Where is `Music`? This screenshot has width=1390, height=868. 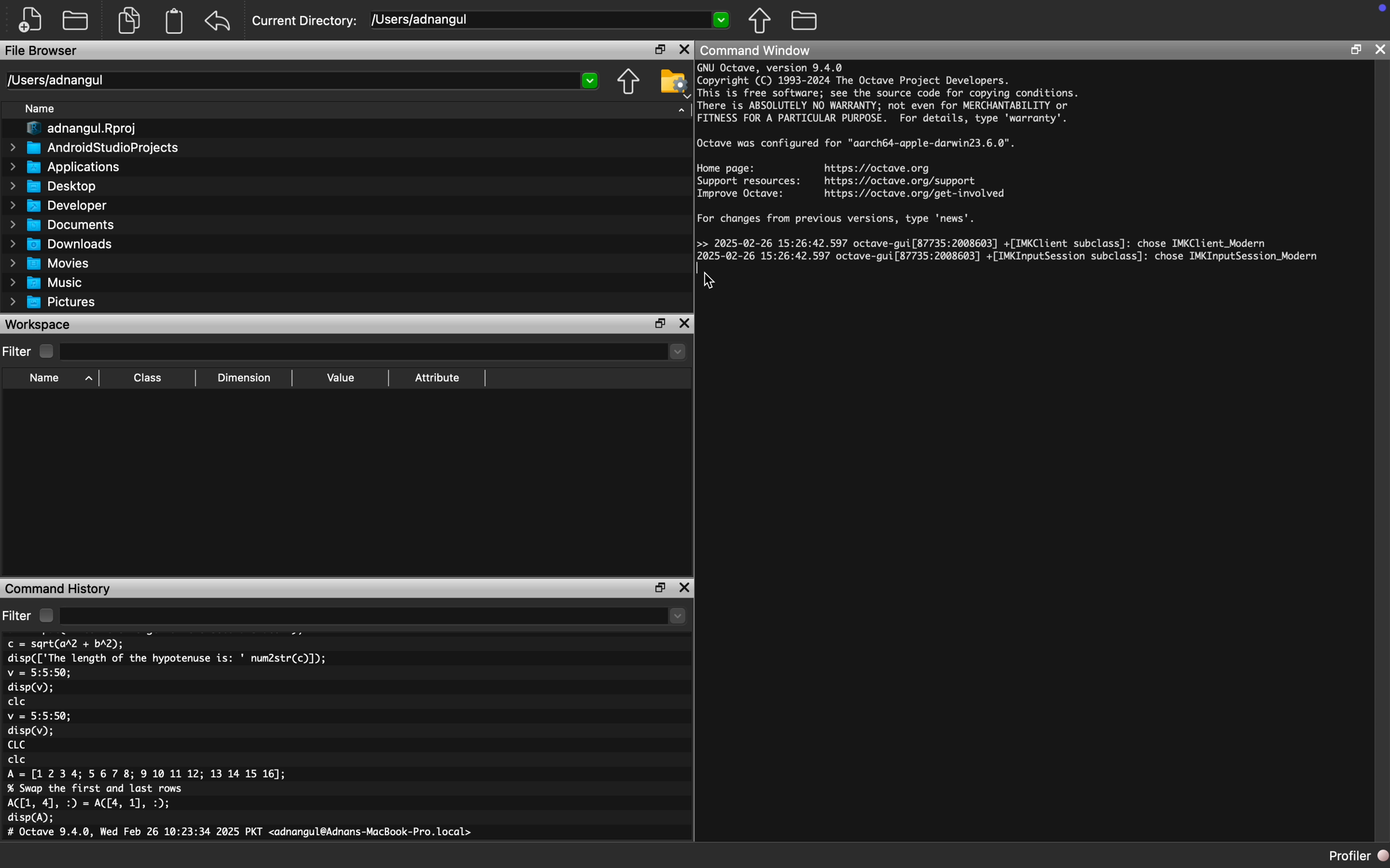
Music is located at coordinates (47, 282).